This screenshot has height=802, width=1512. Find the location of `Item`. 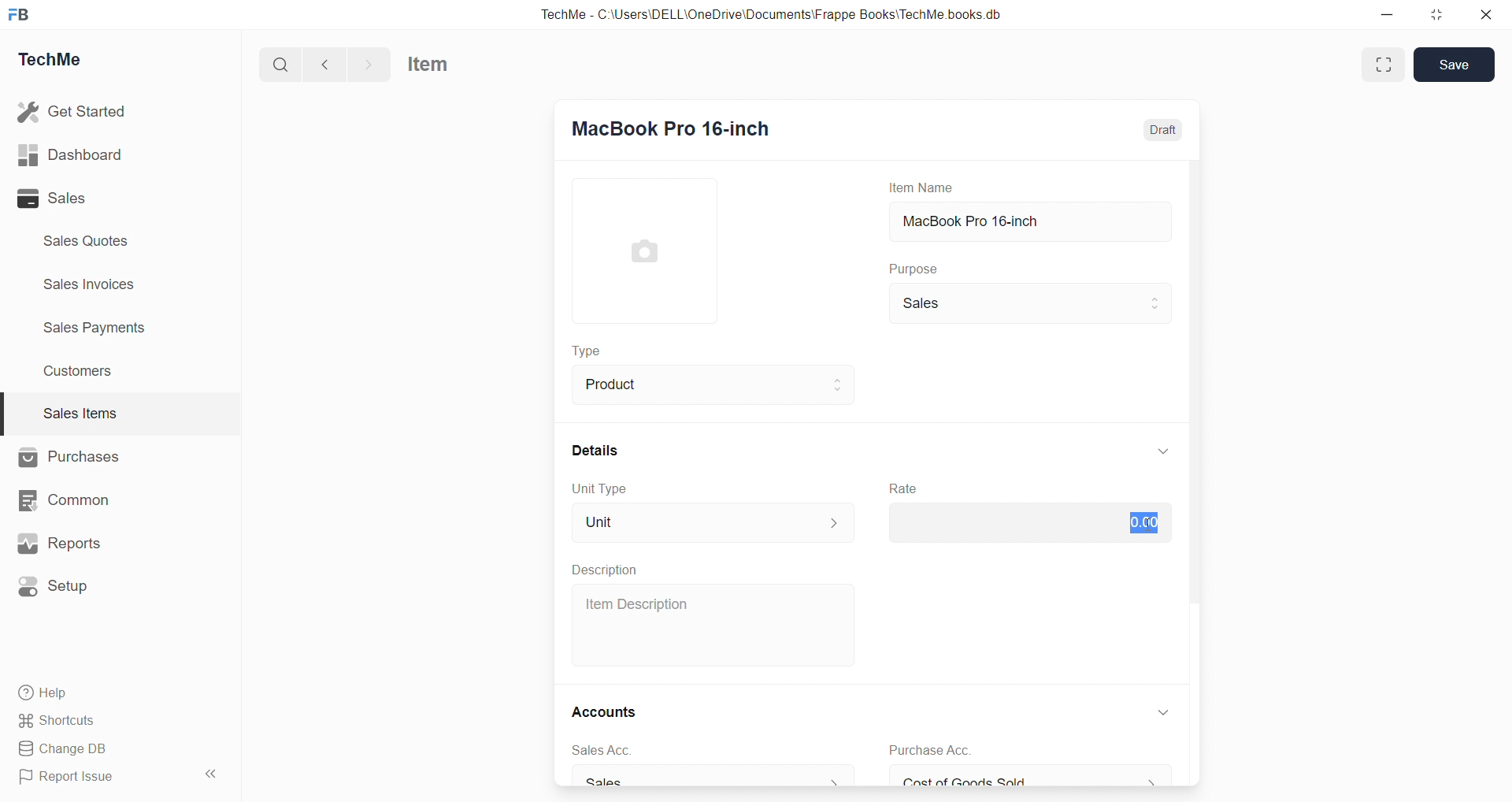

Item is located at coordinates (428, 64).